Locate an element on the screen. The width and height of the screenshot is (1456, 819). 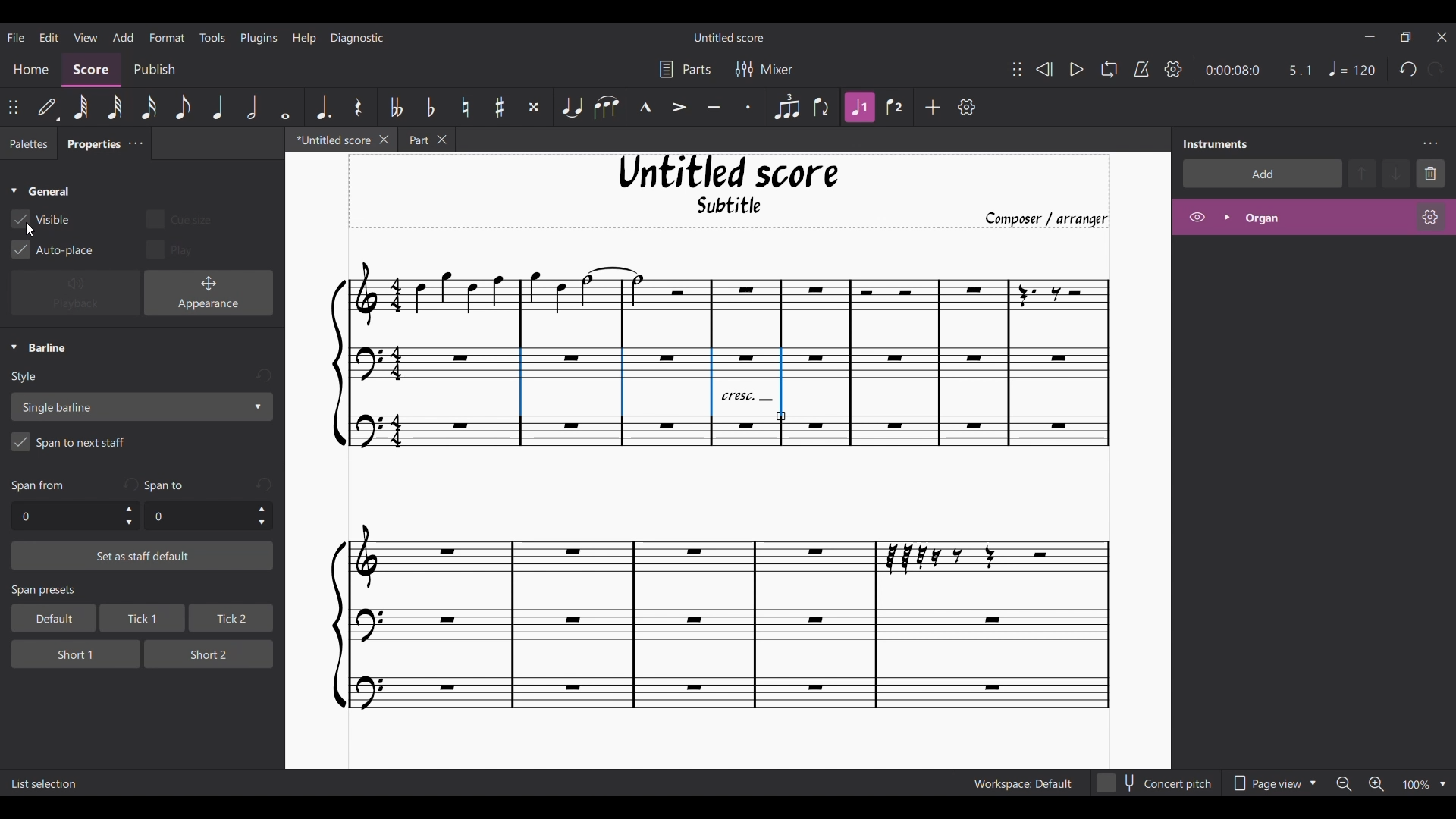
Close interface is located at coordinates (1442, 37).